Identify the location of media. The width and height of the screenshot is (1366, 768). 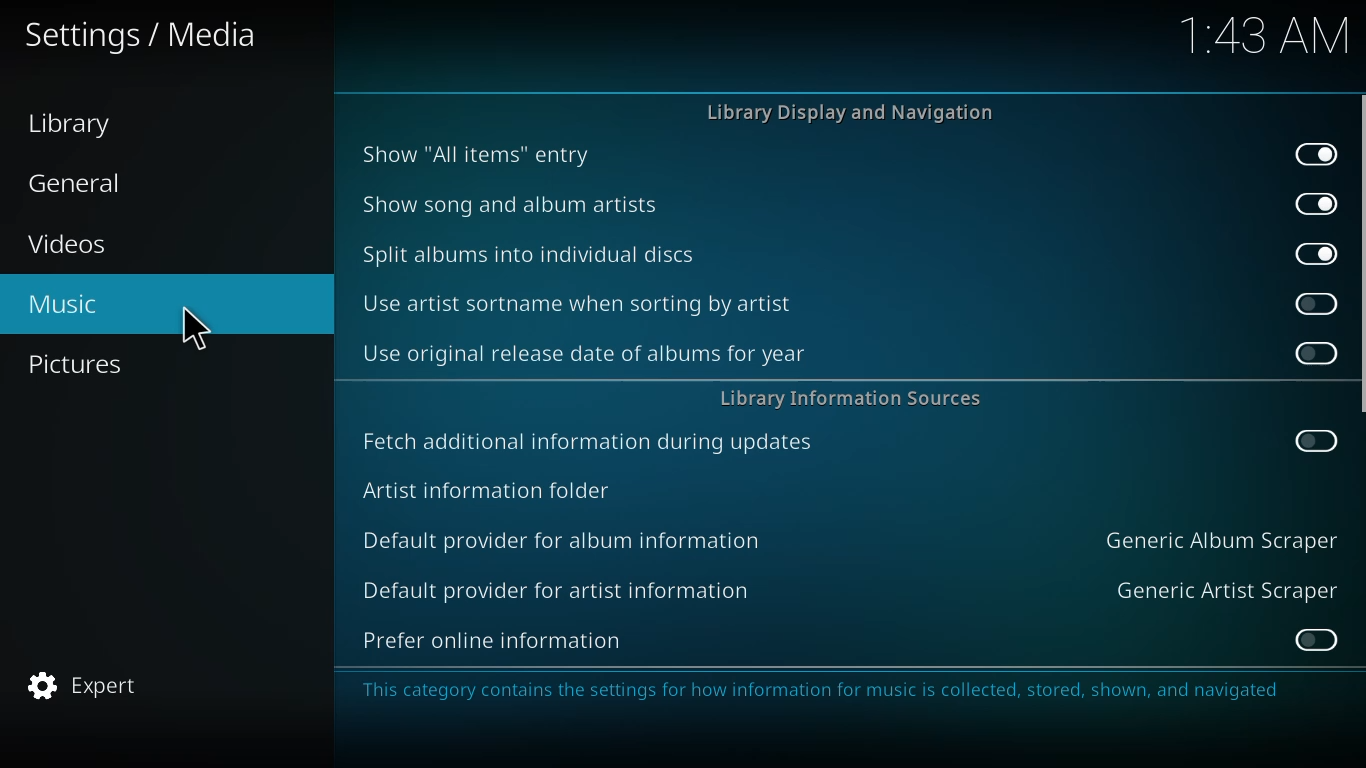
(140, 35).